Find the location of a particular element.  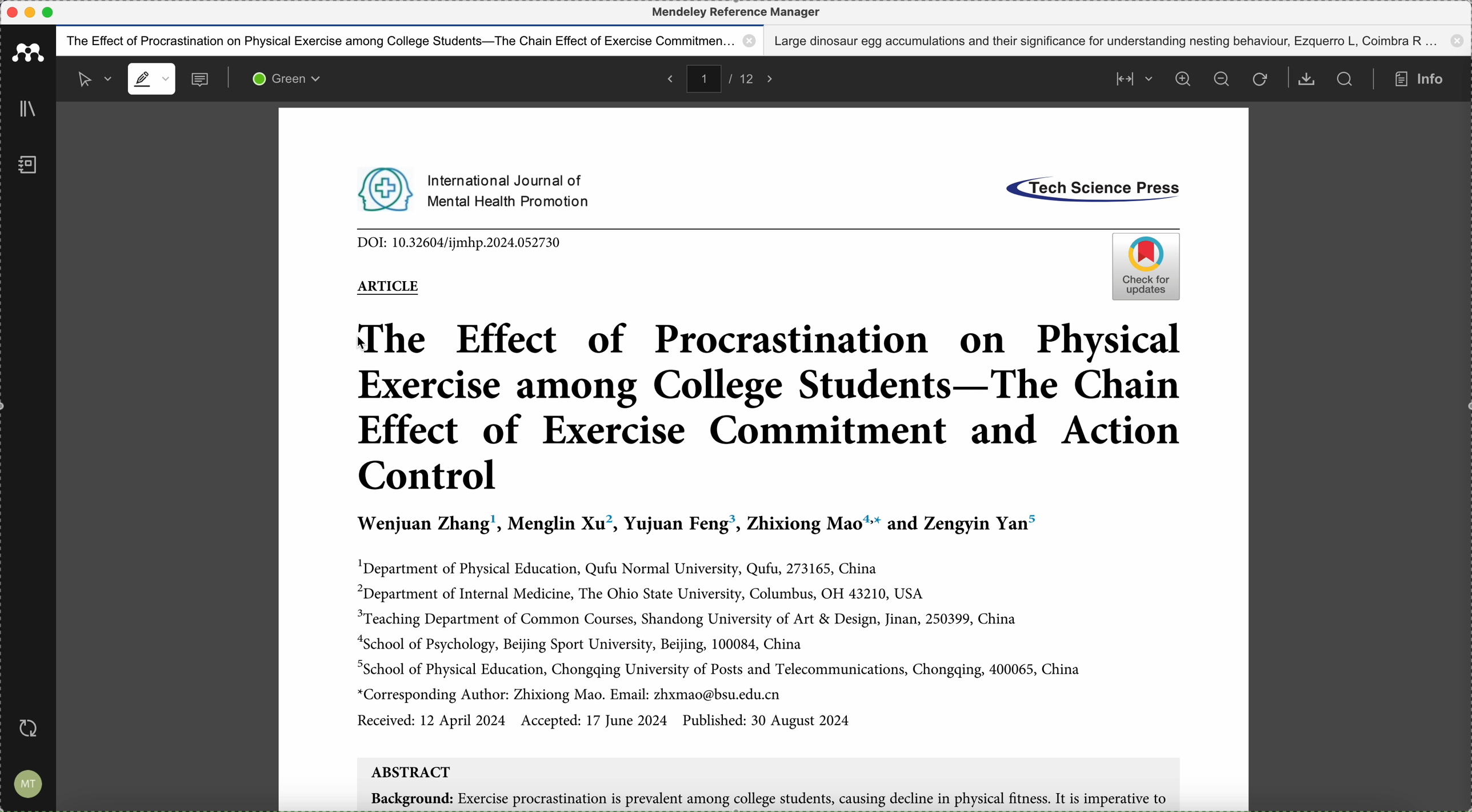

Mendeley reference manager is located at coordinates (736, 12).